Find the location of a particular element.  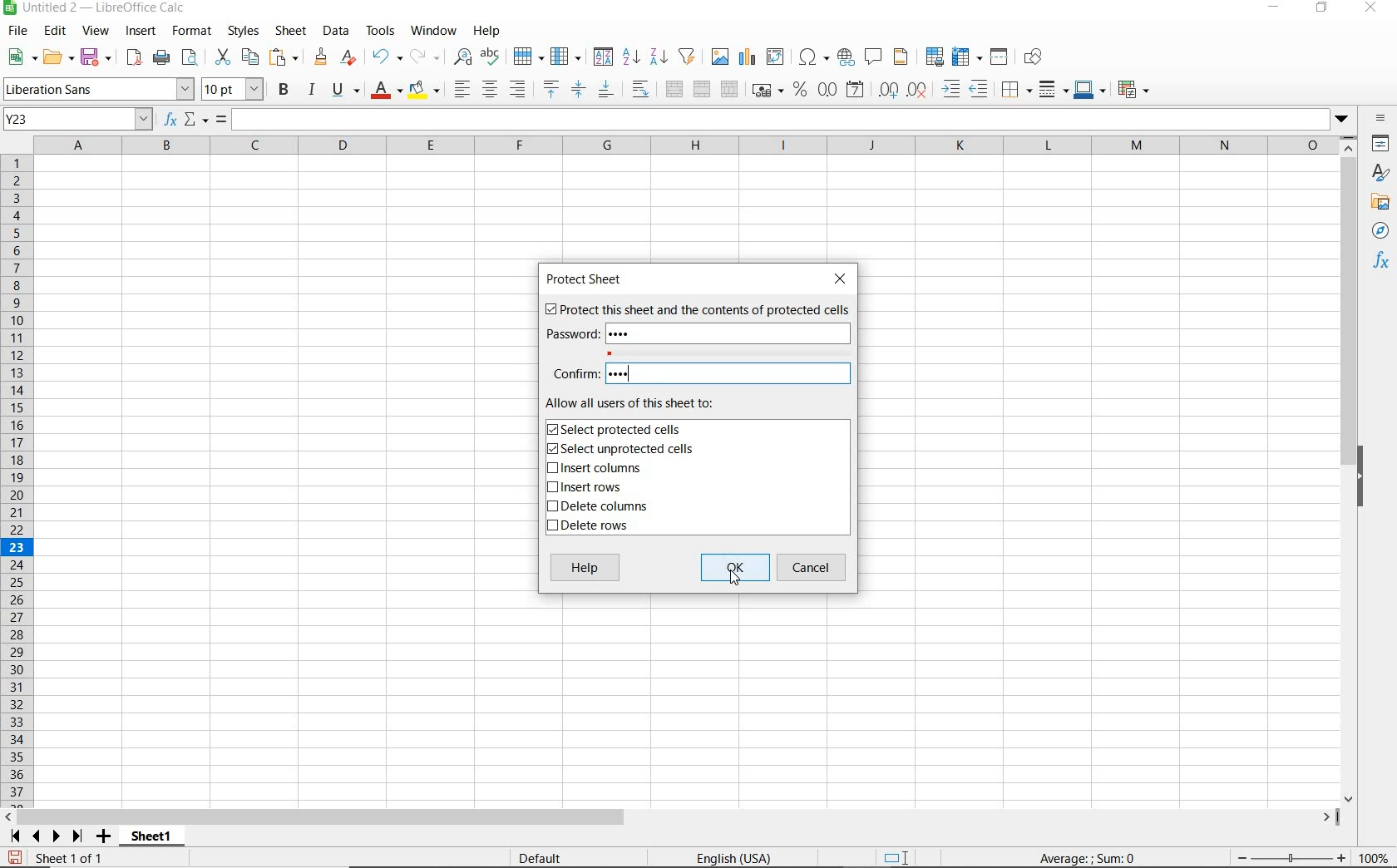

MERGE AND CENTER OR UNMERGE CELLS is located at coordinates (674, 89).